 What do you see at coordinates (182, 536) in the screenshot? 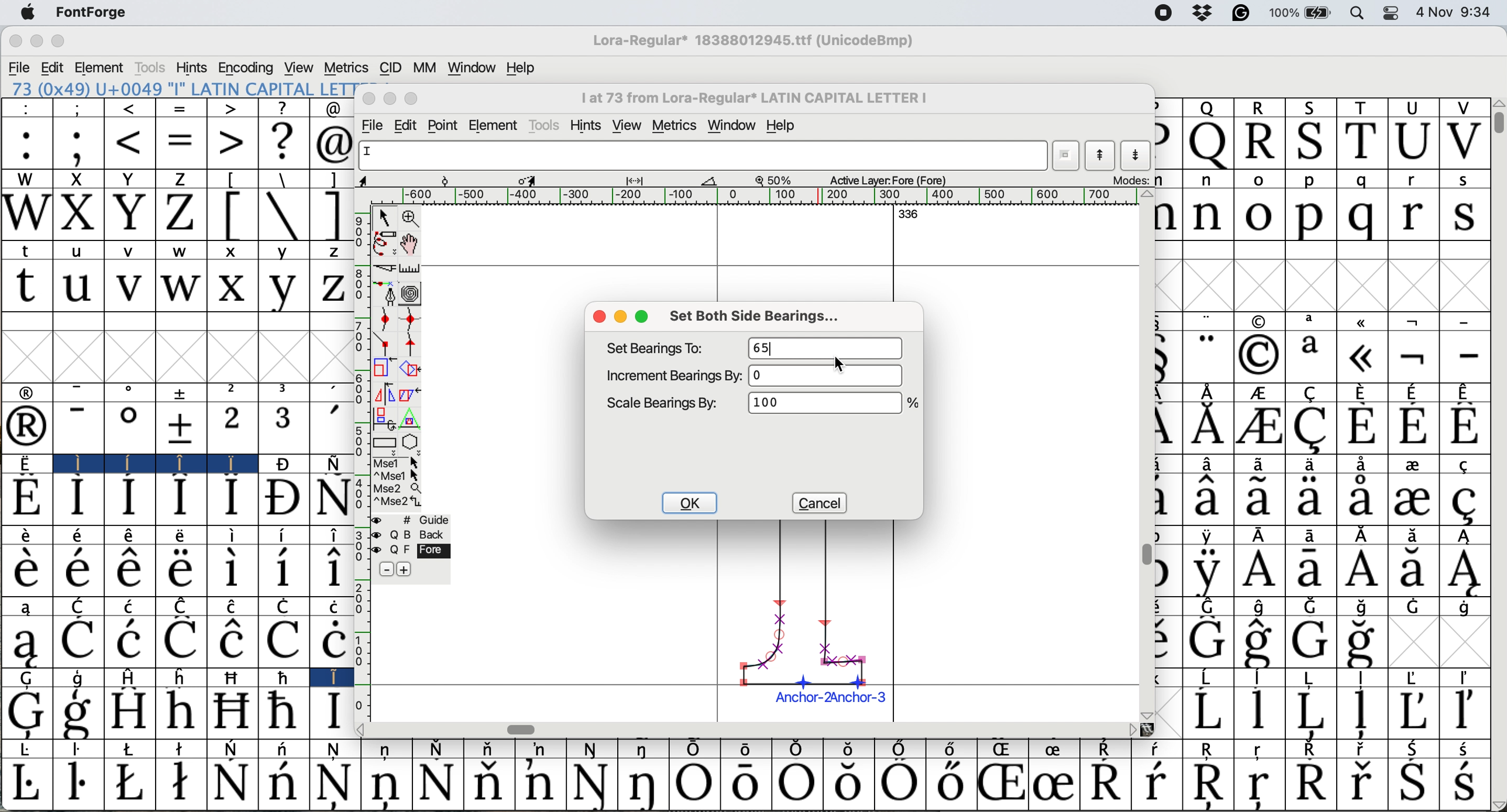
I see `Symbol` at bounding box center [182, 536].